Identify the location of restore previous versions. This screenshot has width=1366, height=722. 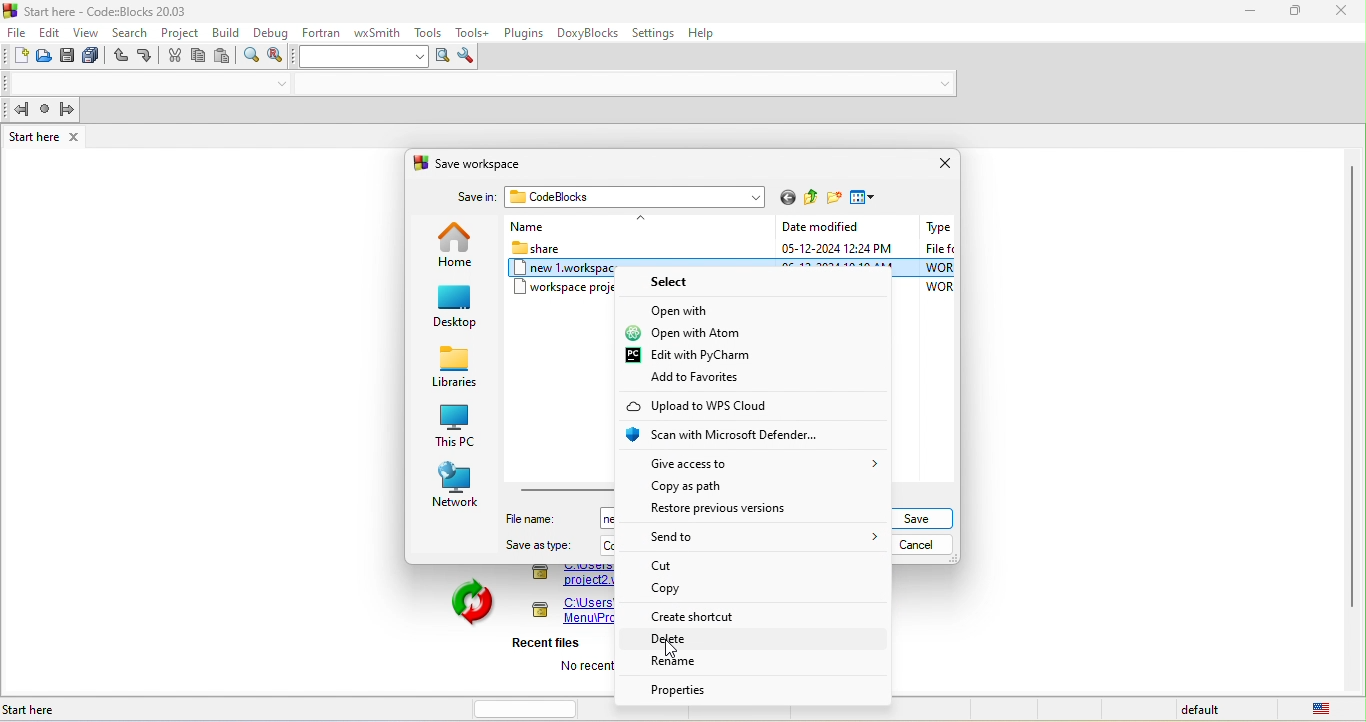
(726, 508).